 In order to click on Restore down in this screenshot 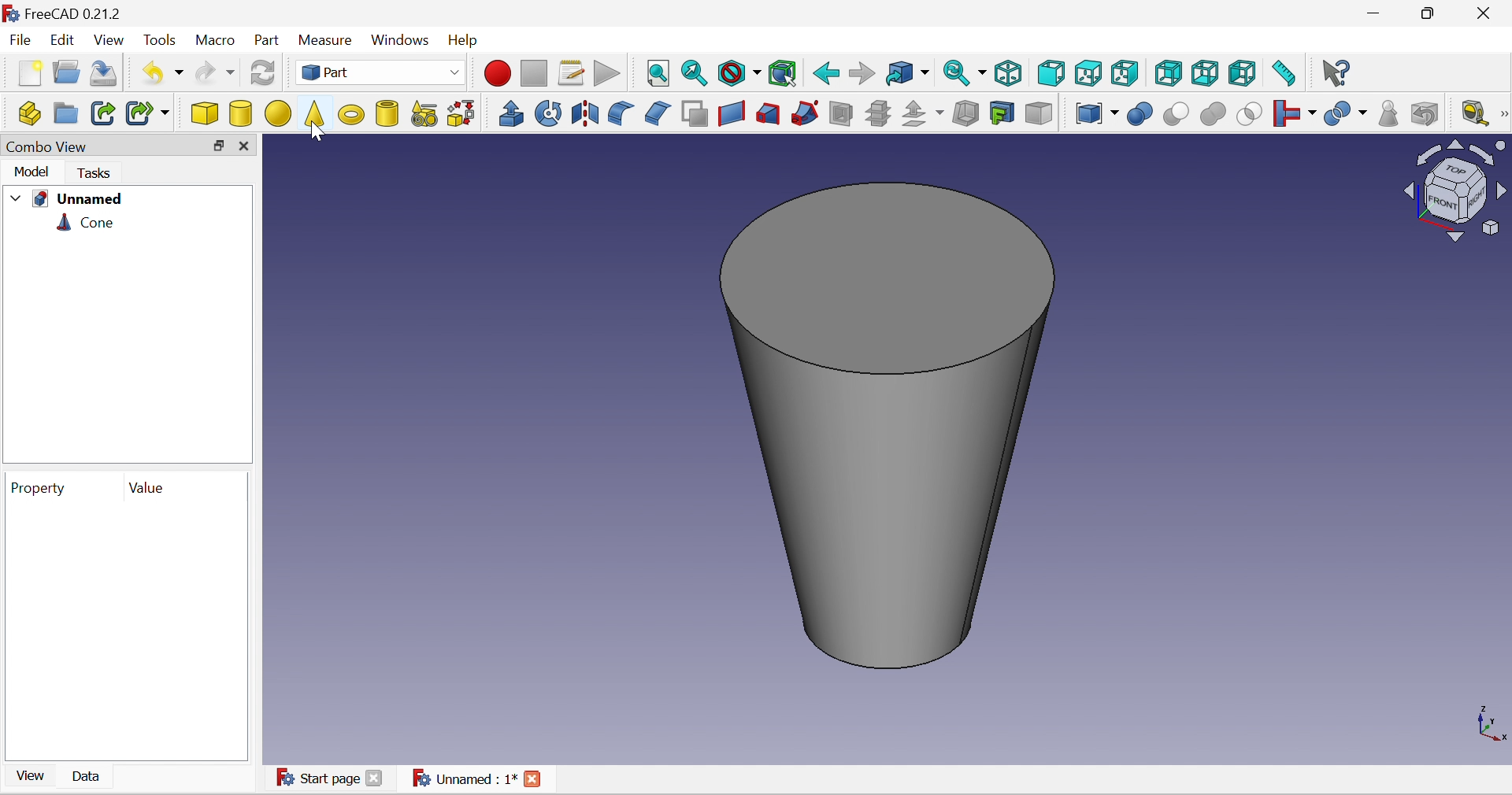, I will do `click(220, 146)`.